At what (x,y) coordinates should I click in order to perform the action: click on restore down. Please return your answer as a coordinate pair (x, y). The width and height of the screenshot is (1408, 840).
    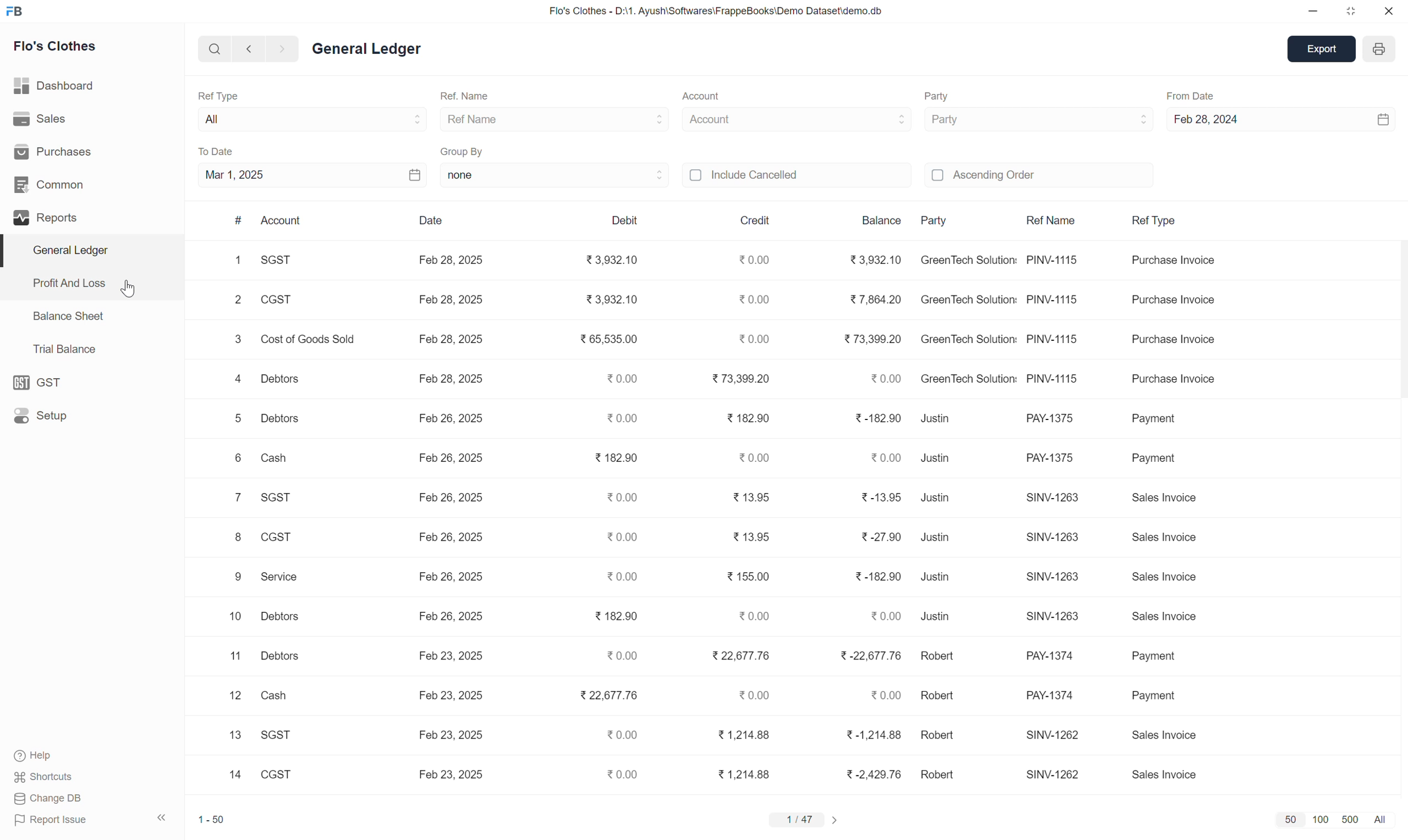
    Looking at the image, I should click on (1350, 11).